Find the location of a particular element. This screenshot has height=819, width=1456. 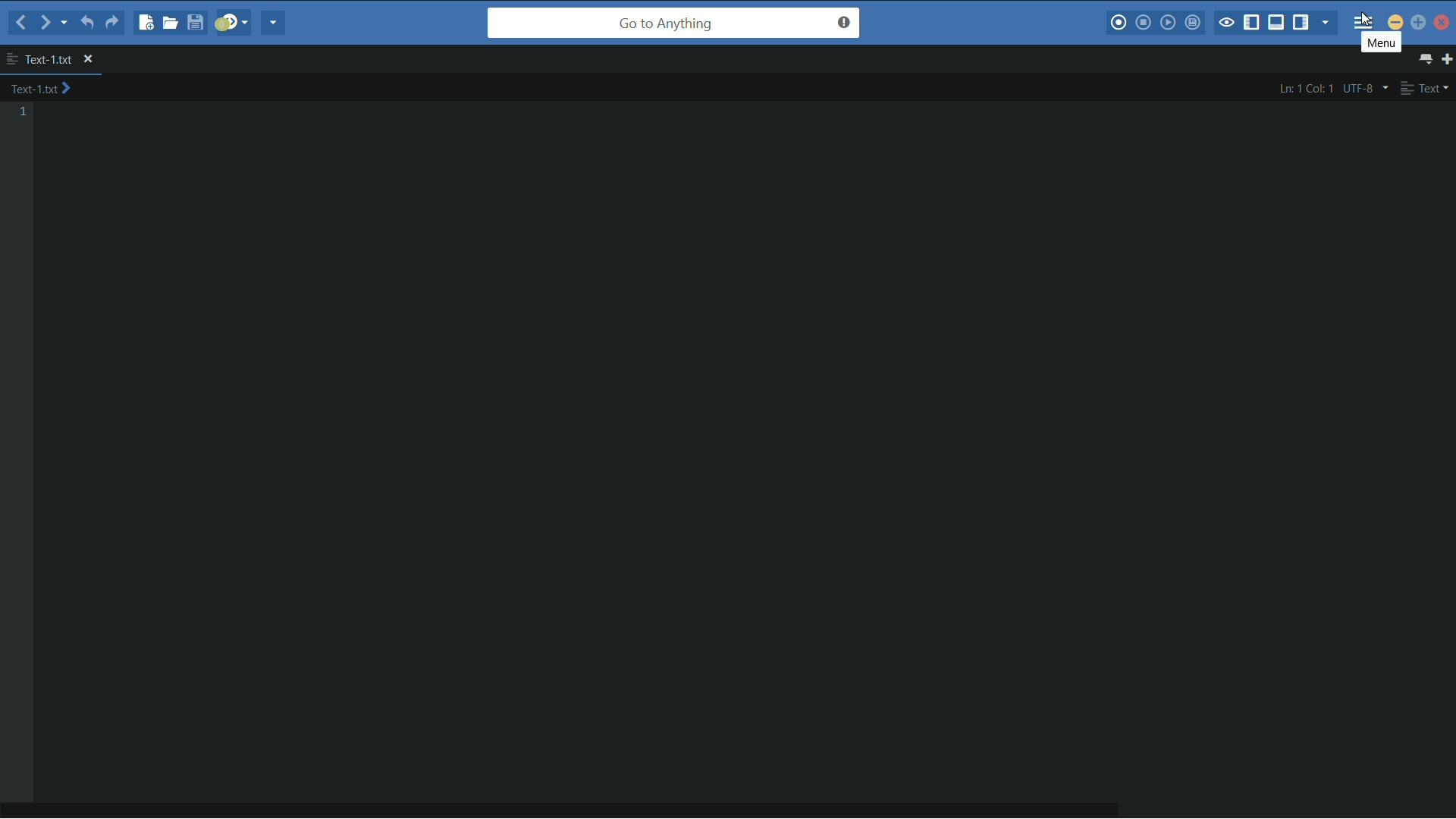

new tab is located at coordinates (1447, 58).